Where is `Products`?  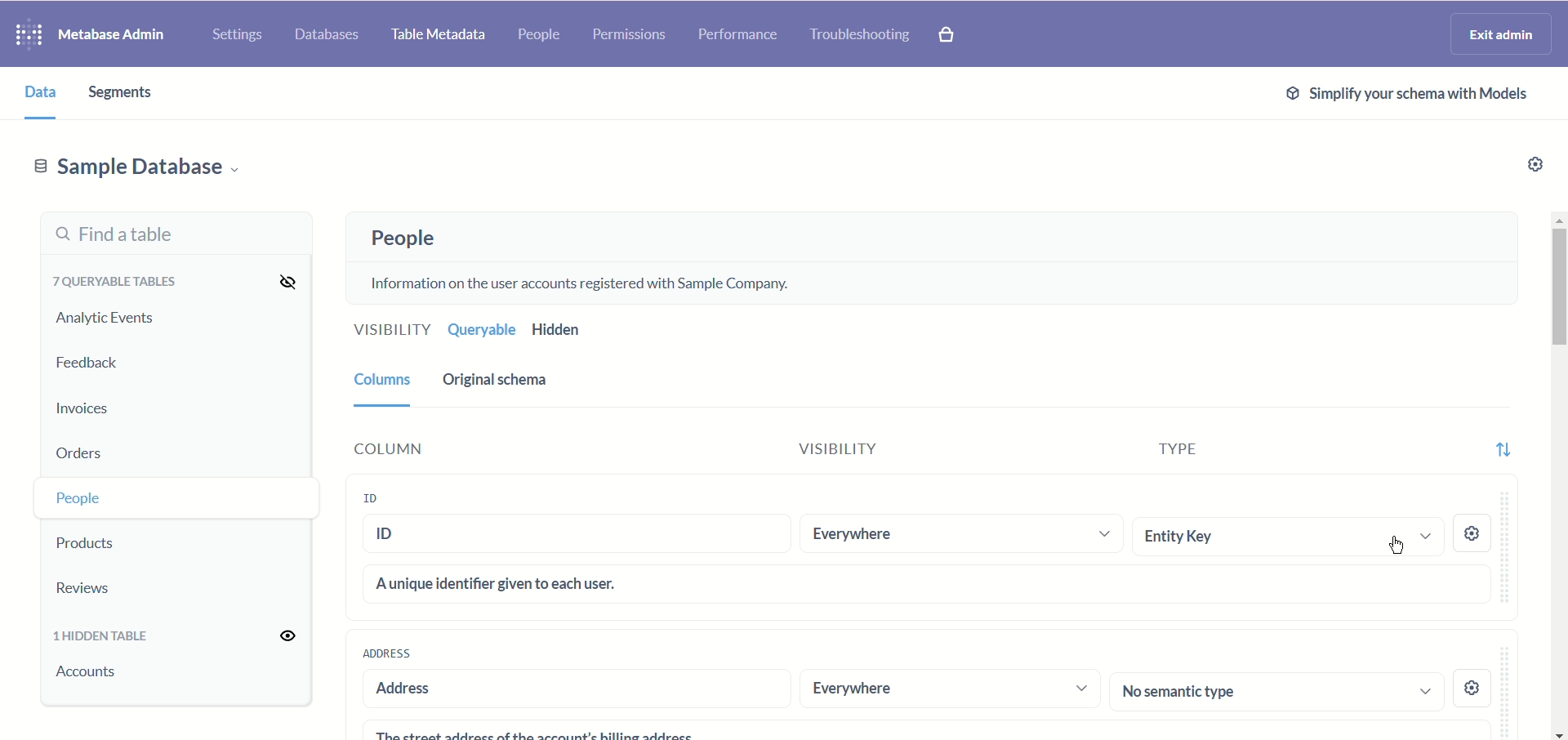 Products is located at coordinates (117, 540).